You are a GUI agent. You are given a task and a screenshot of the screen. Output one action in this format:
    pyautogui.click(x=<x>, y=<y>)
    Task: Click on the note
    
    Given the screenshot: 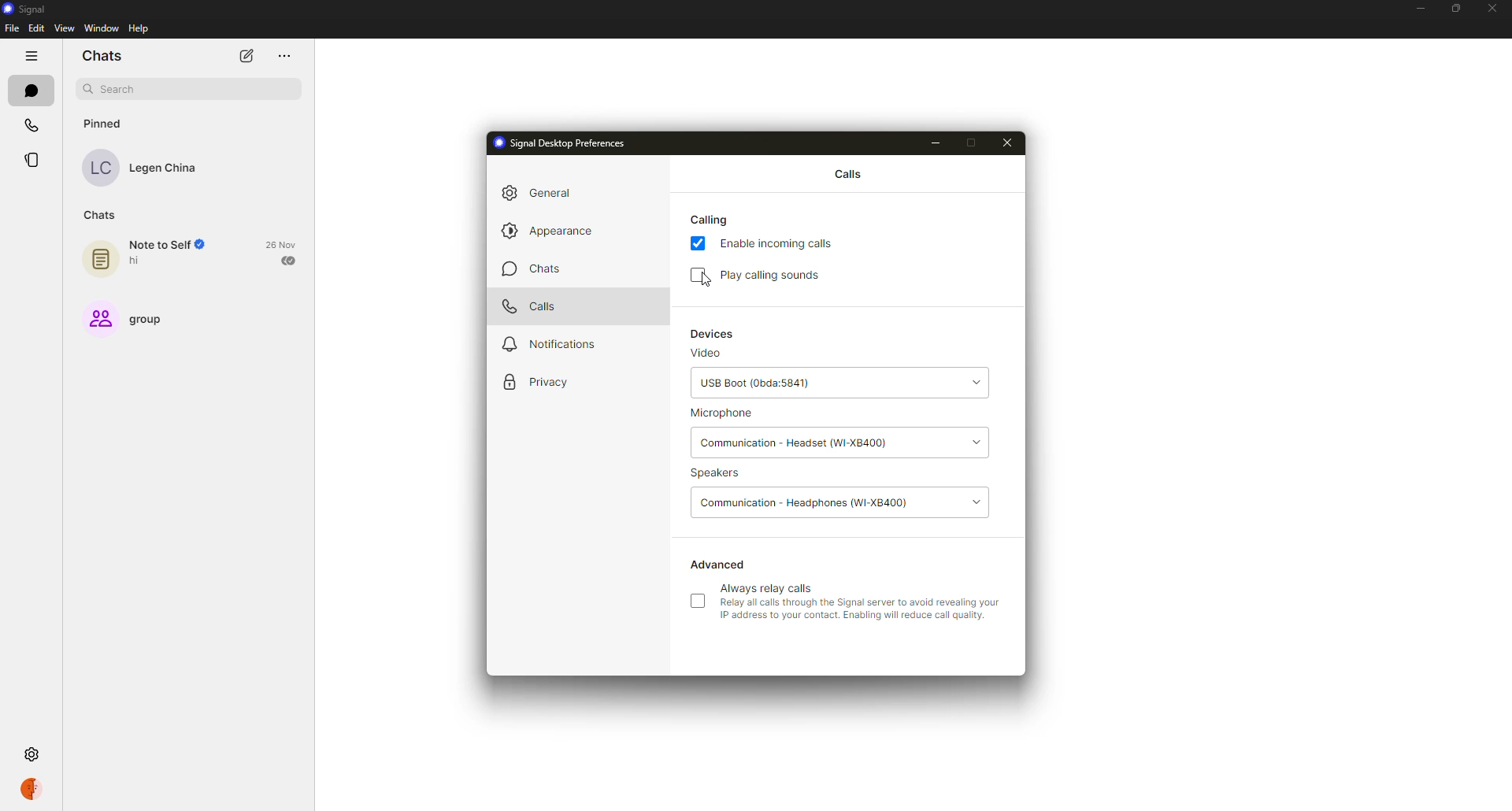 What is the action you would take?
    pyautogui.click(x=102, y=256)
    